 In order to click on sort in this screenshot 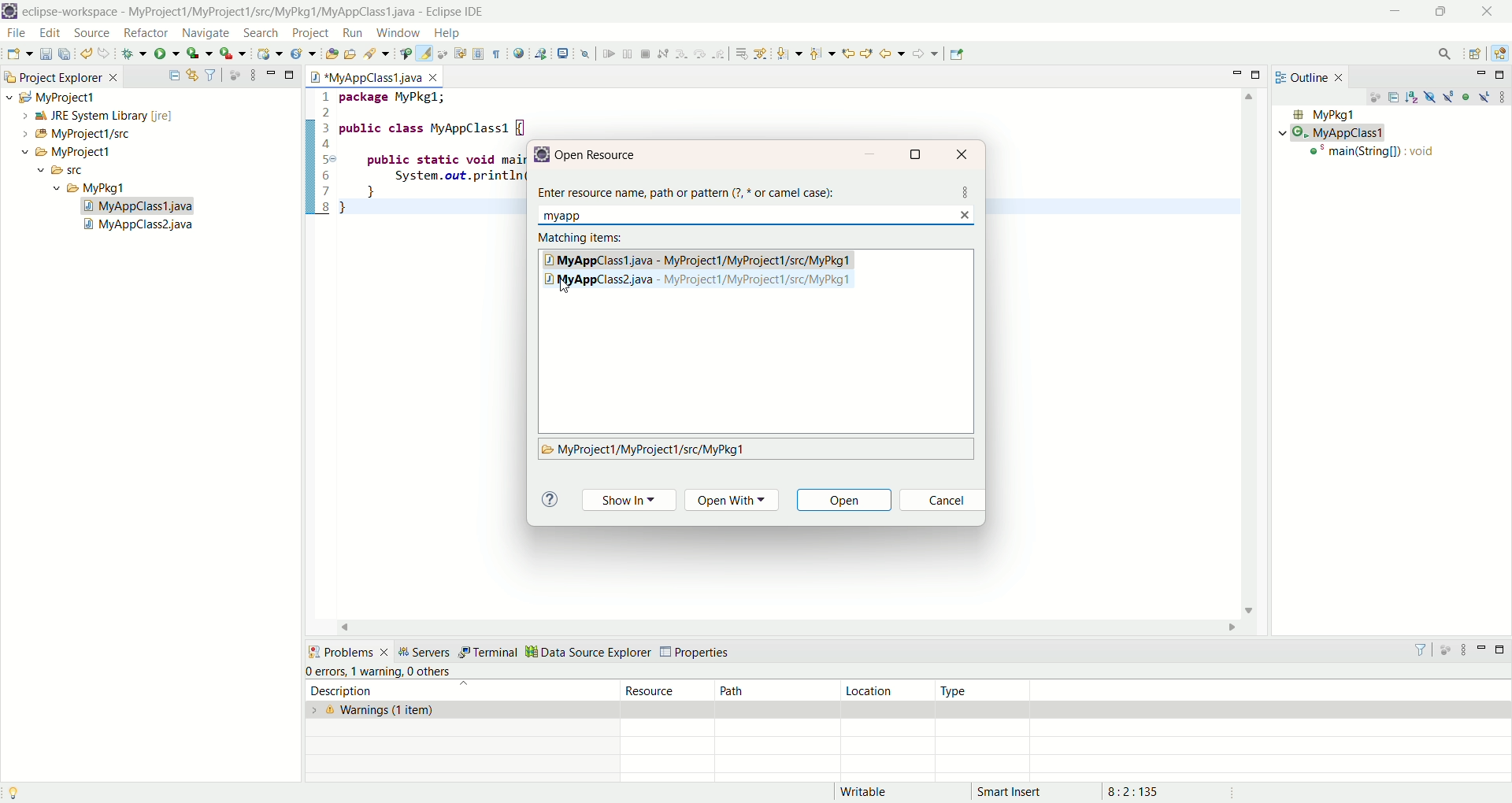, I will do `click(1414, 96)`.